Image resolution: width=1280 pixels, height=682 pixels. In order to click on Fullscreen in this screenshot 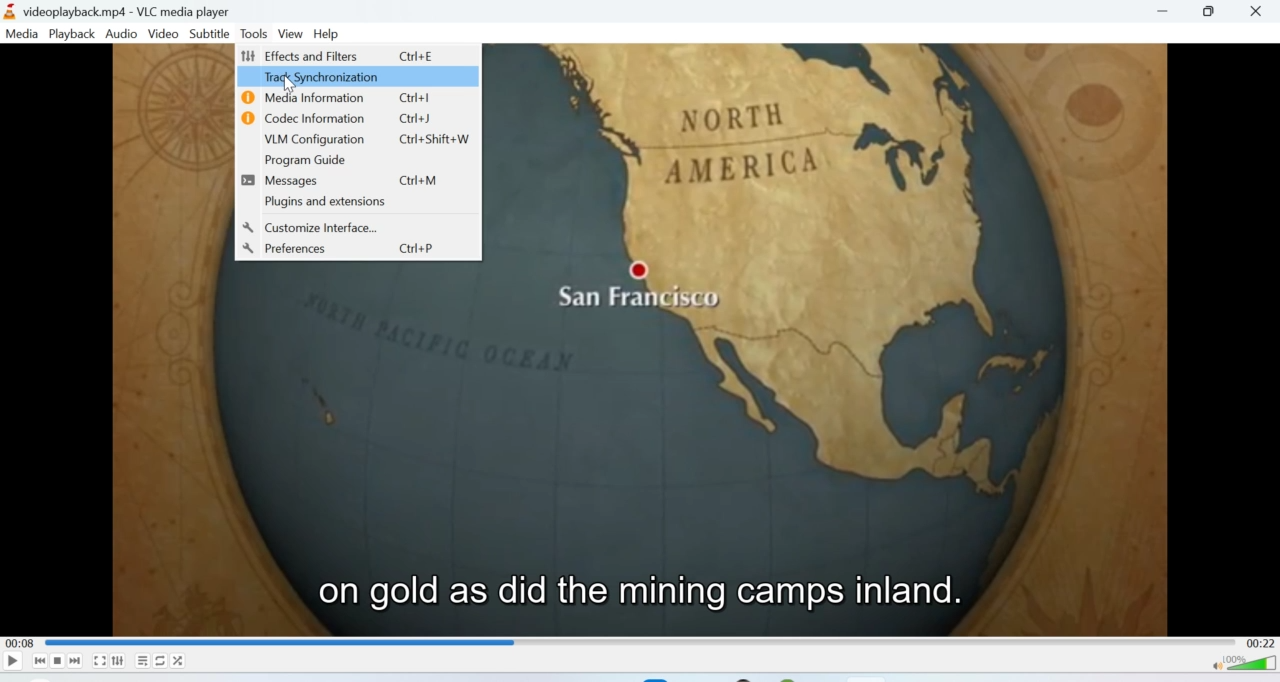, I will do `click(99, 661)`.